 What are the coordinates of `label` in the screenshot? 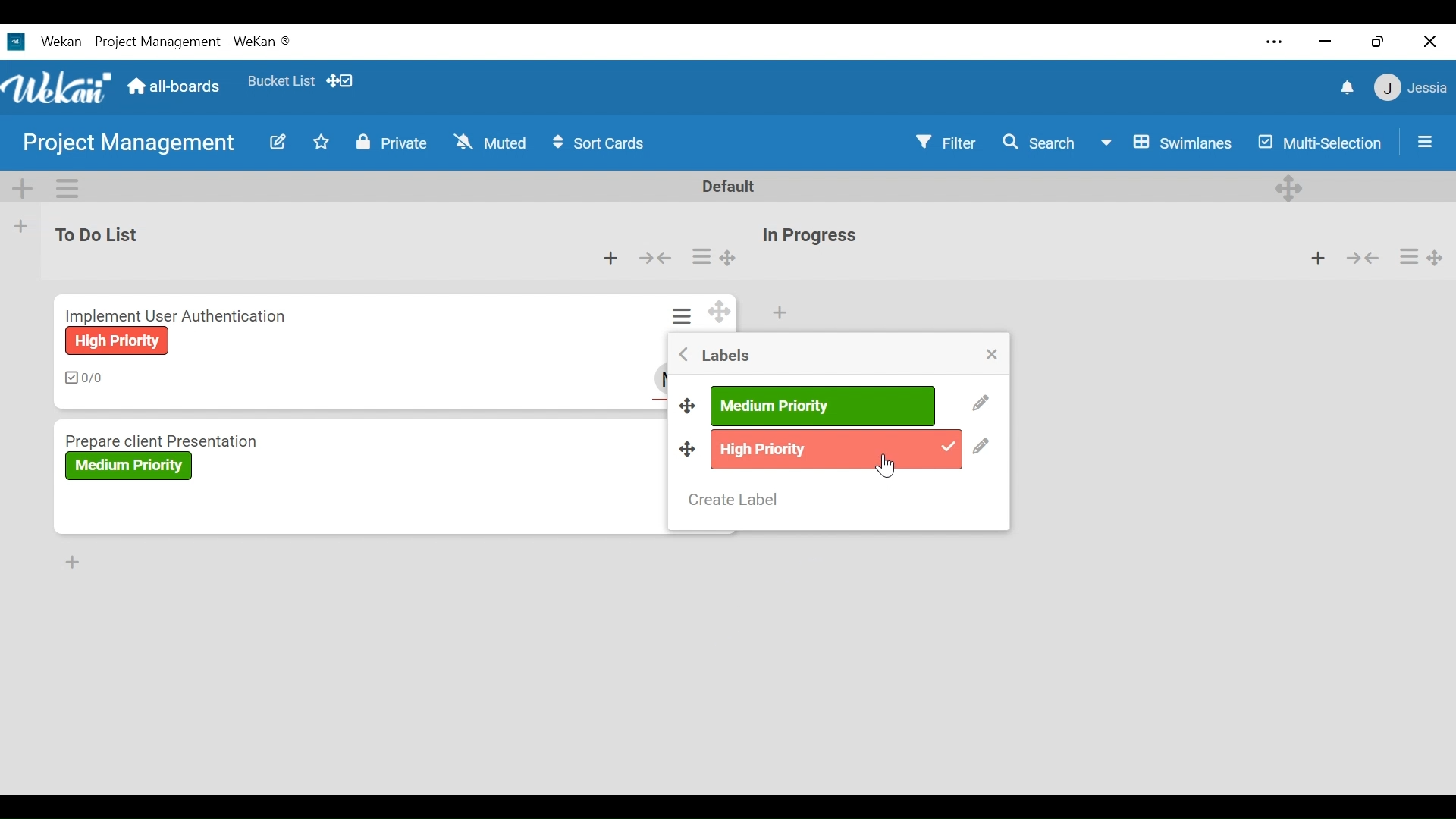 It's located at (128, 466).